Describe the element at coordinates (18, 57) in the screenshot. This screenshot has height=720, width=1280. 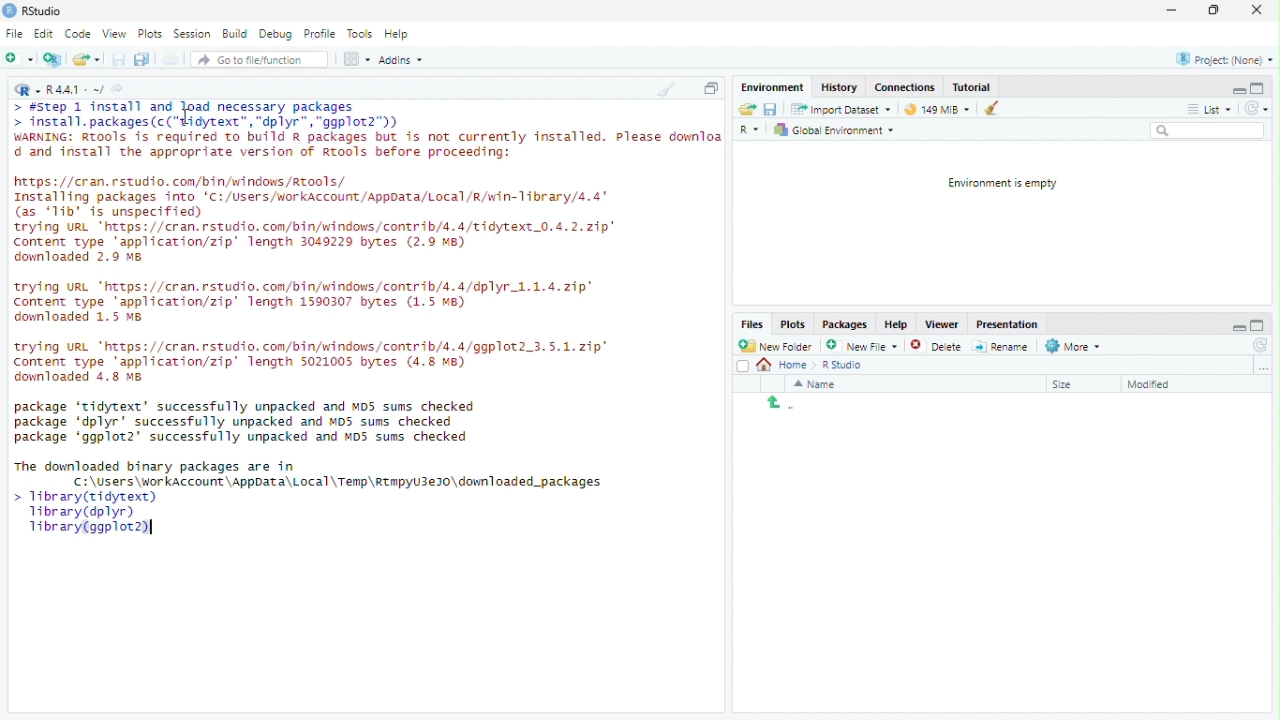
I see `Add new file` at that location.